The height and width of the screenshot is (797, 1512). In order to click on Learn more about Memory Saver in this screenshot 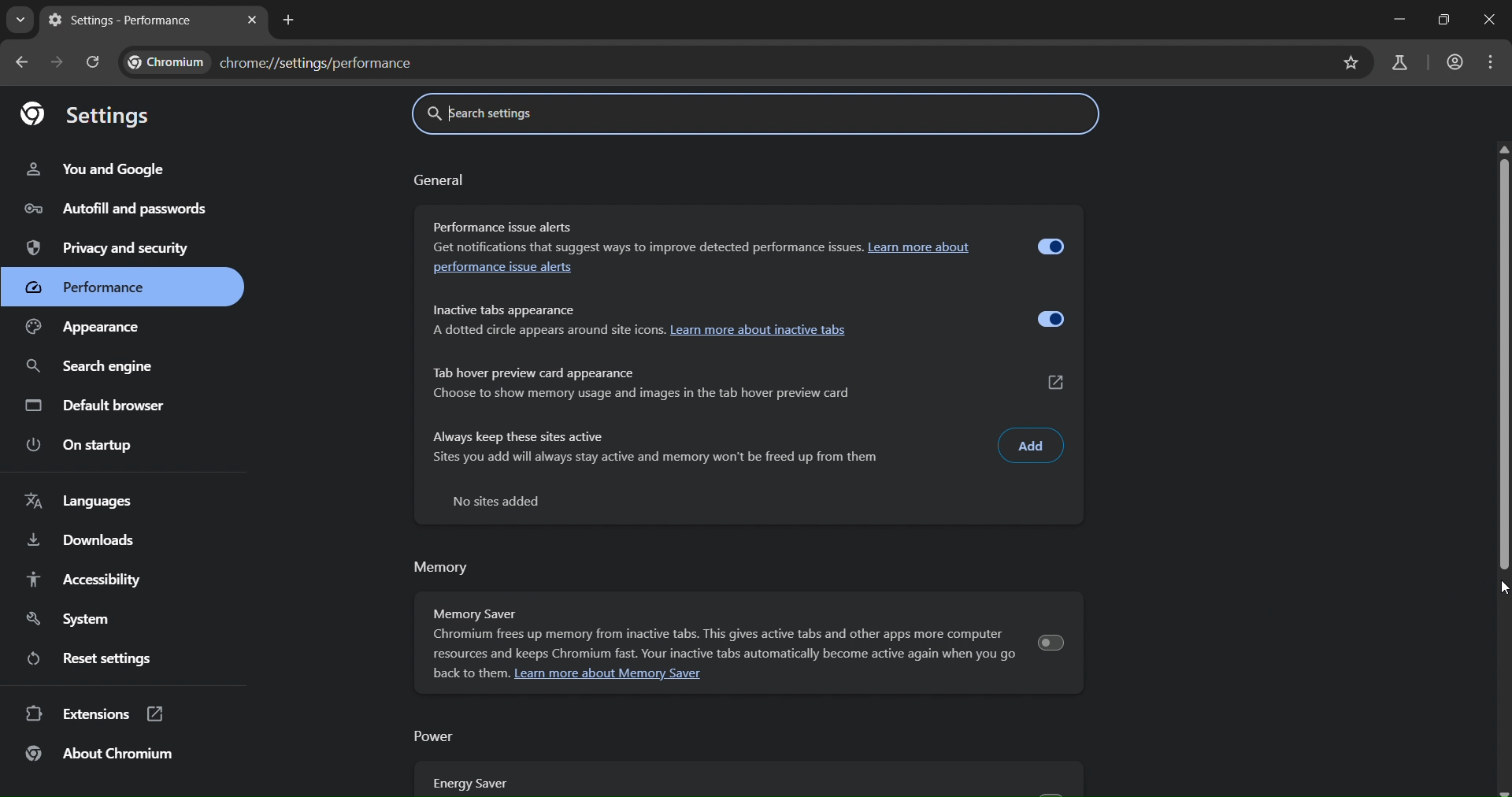, I will do `click(609, 674)`.